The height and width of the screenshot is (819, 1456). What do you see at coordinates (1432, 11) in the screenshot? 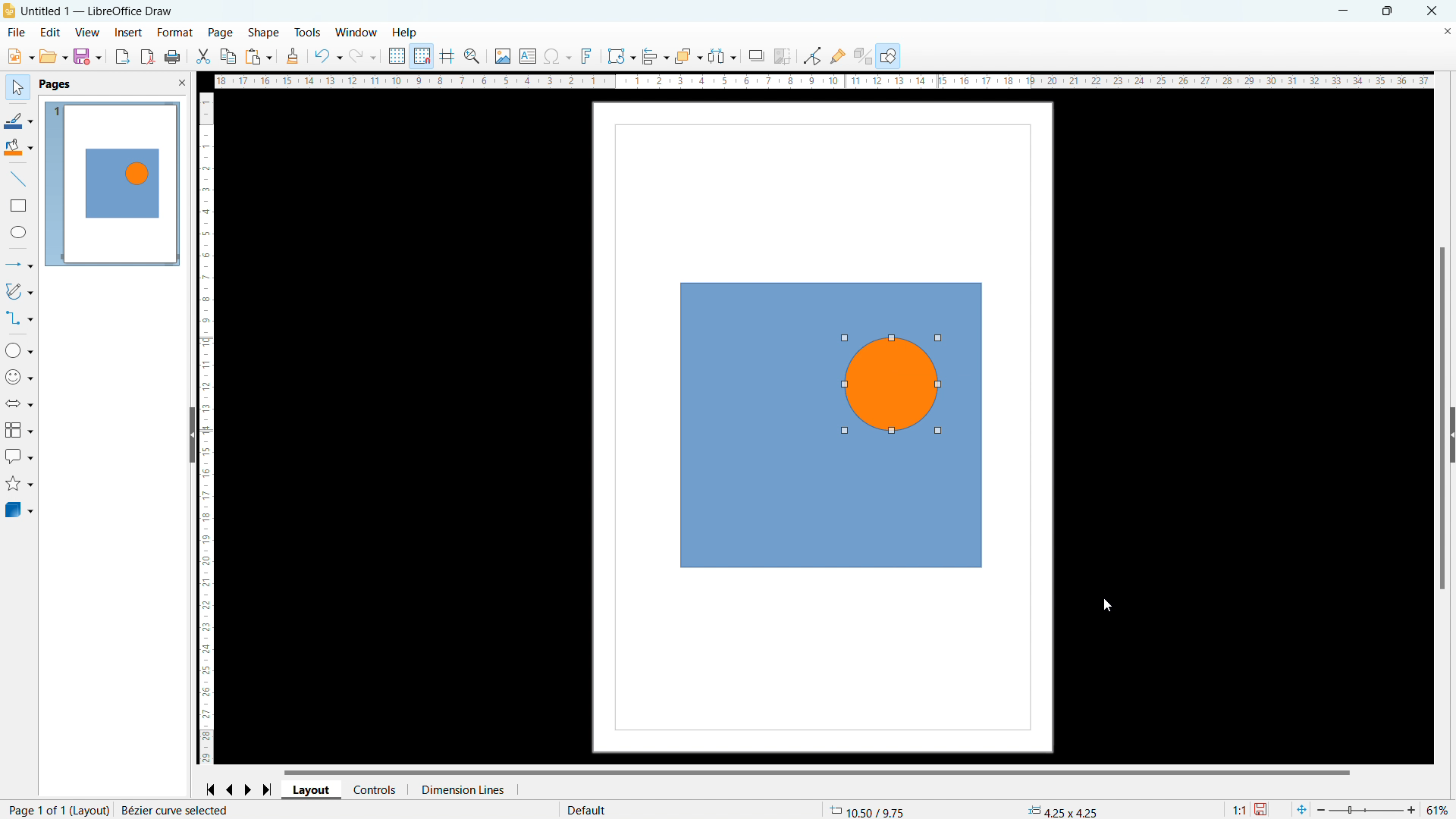
I see `close` at bounding box center [1432, 11].